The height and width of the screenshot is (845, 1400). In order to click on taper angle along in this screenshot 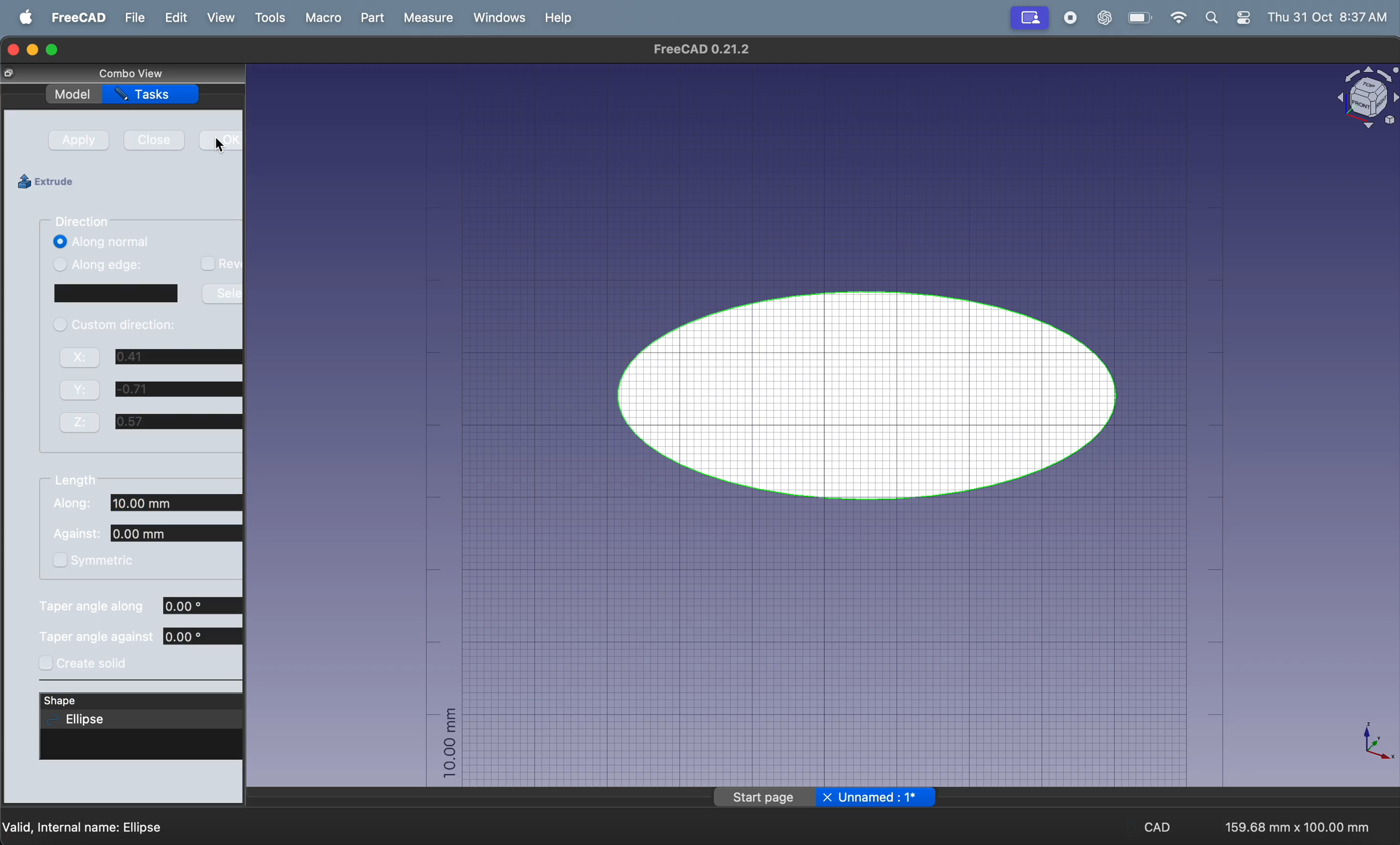, I will do `click(94, 607)`.